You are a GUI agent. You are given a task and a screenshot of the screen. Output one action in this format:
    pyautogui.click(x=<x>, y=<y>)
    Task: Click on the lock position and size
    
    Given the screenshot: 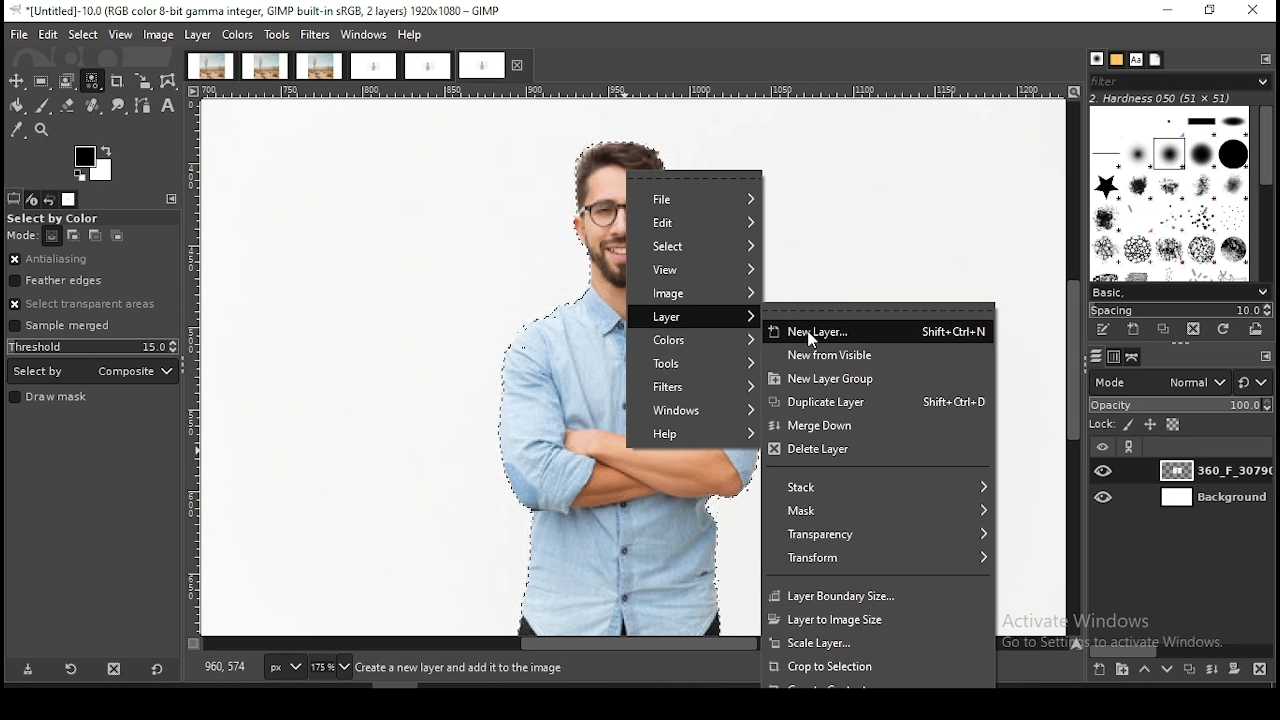 What is the action you would take?
    pyautogui.click(x=1149, y=426)
    